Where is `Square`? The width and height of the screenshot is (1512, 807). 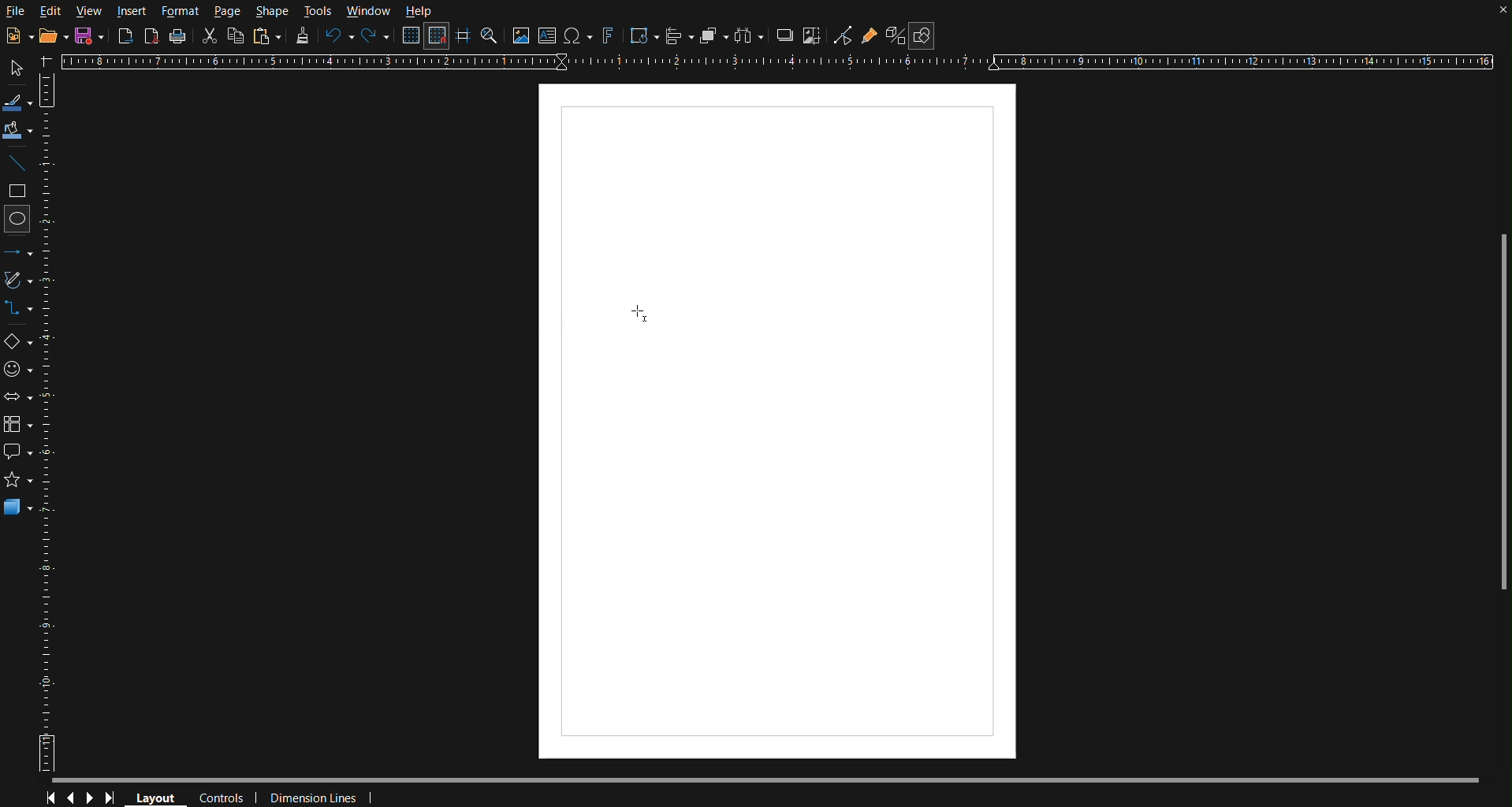
Square is located at coordinates (19, 192).